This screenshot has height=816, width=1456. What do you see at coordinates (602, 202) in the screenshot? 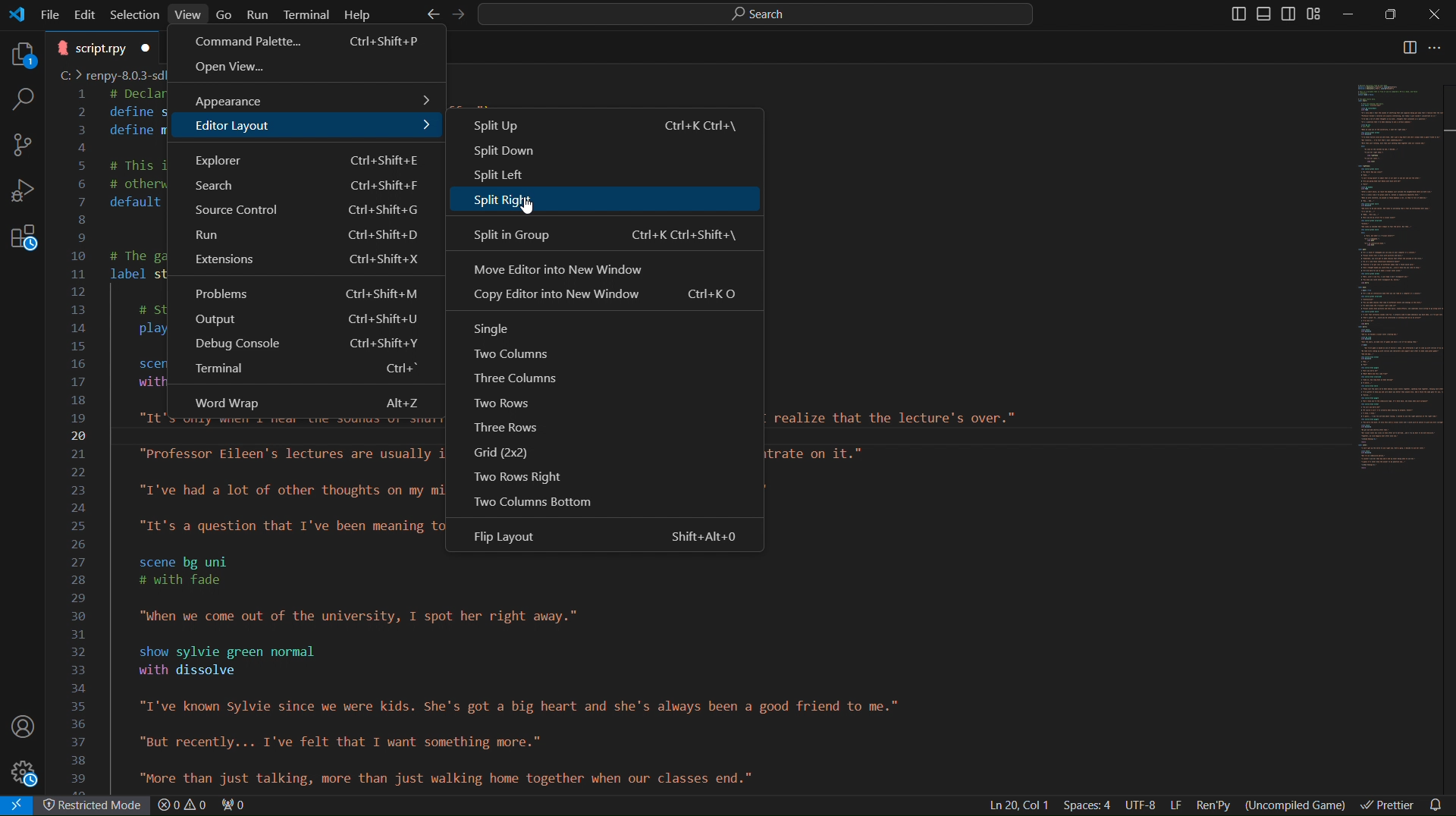
I see `Split Right` at bounding box center [602, 202].